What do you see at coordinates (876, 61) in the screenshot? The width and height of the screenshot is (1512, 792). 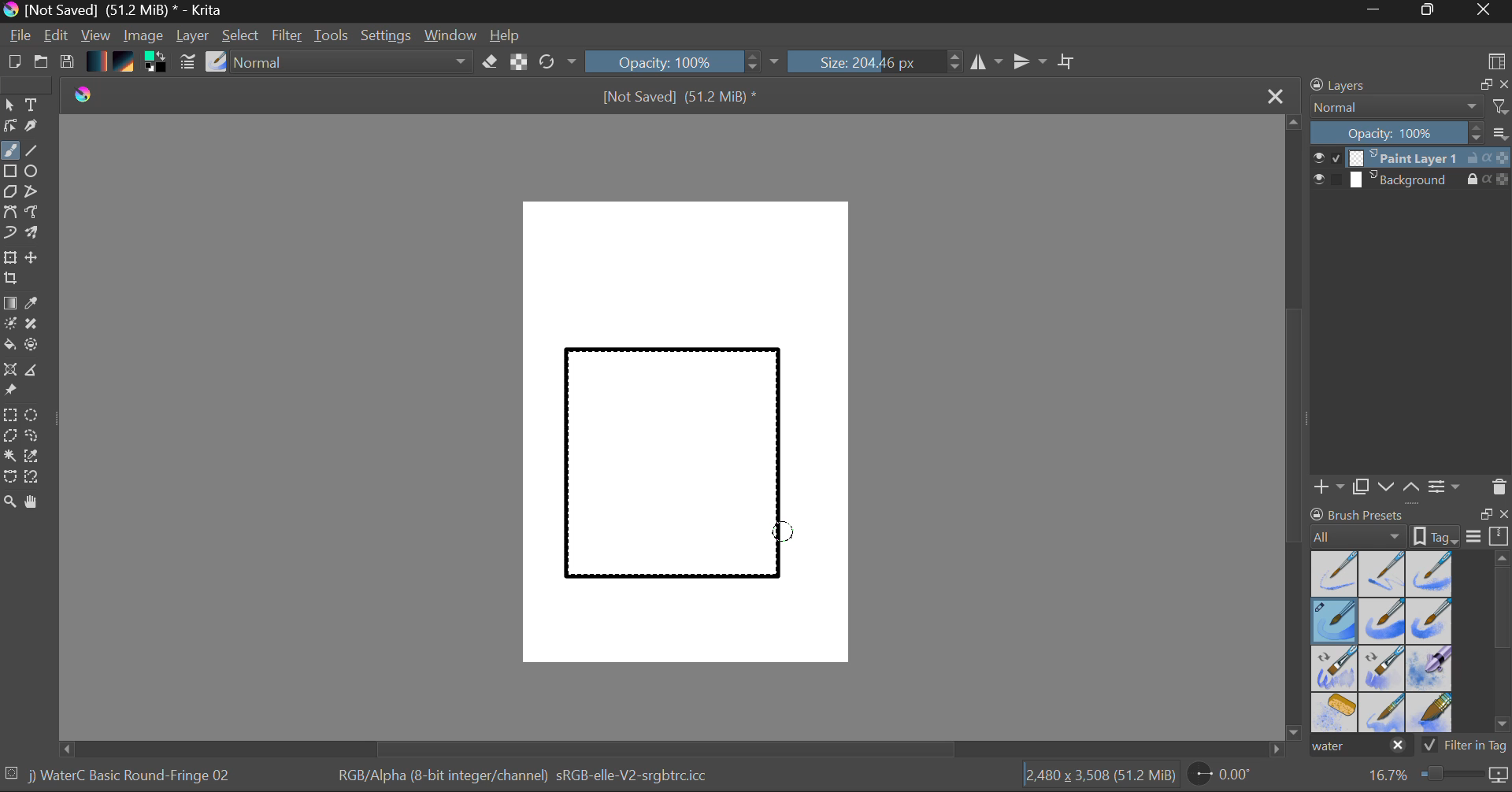 I see `Brush Size` at bounding box center [876, 61].